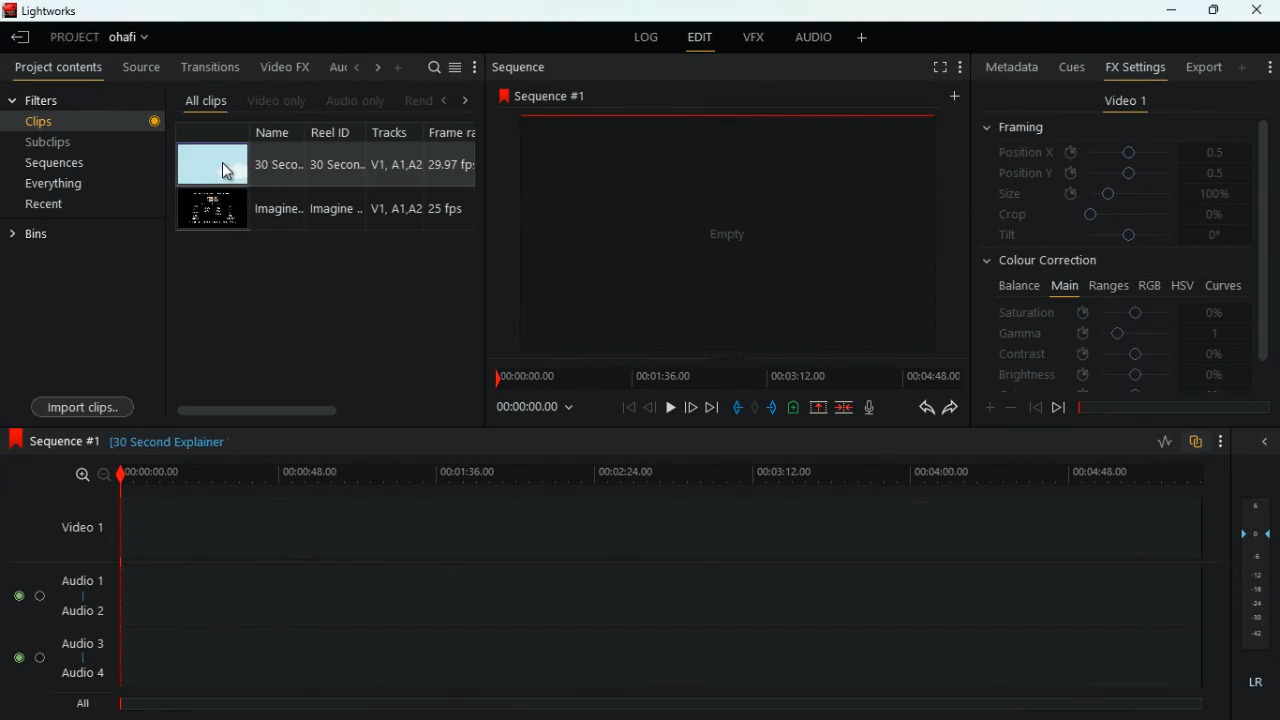 The image size is (1280, 720). Describe the element at coordinates (869, 407) in the screenshot. I see `mic` at that location.